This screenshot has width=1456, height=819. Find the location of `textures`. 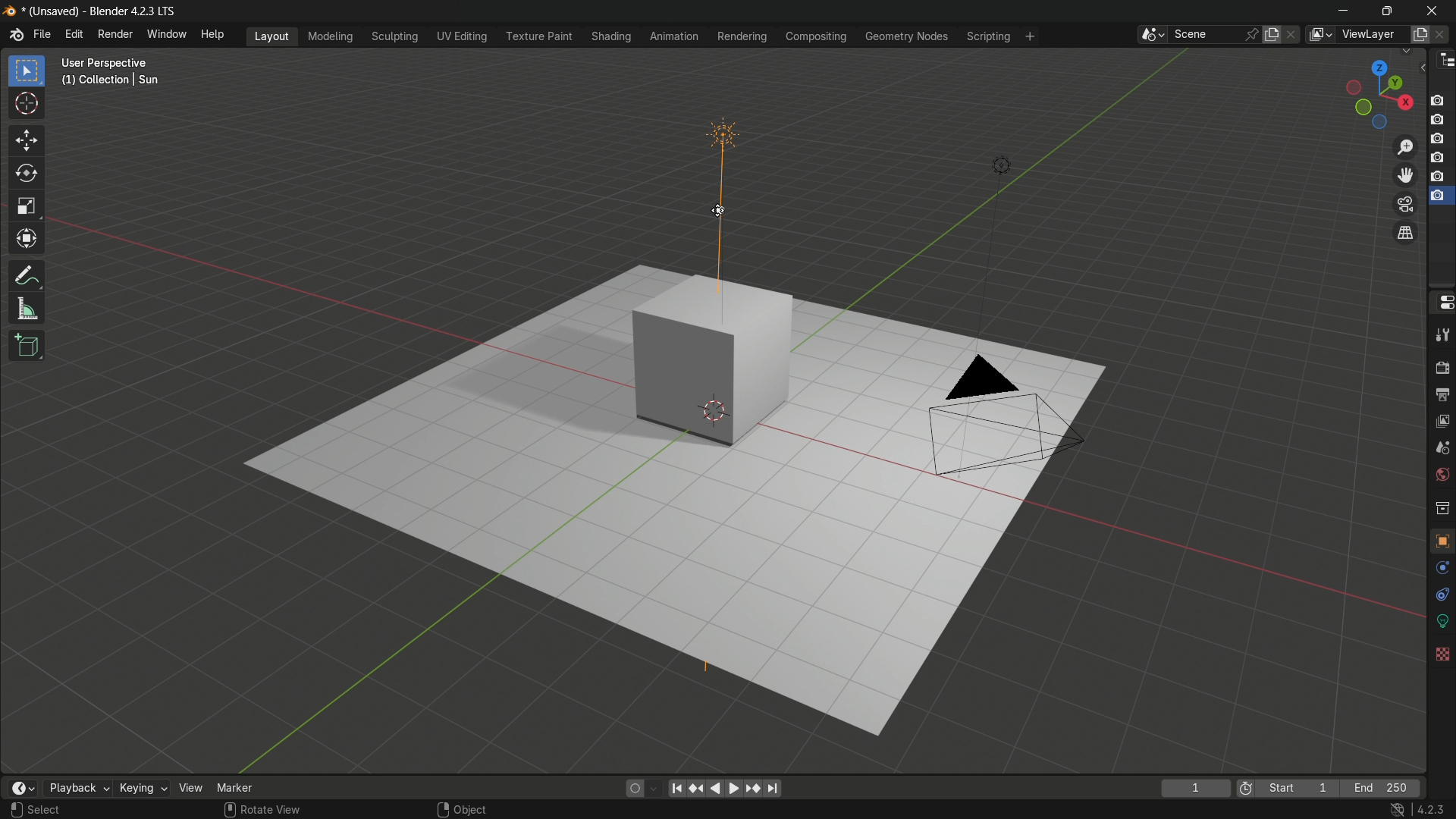

textures is located at coordinates (1441, 653).